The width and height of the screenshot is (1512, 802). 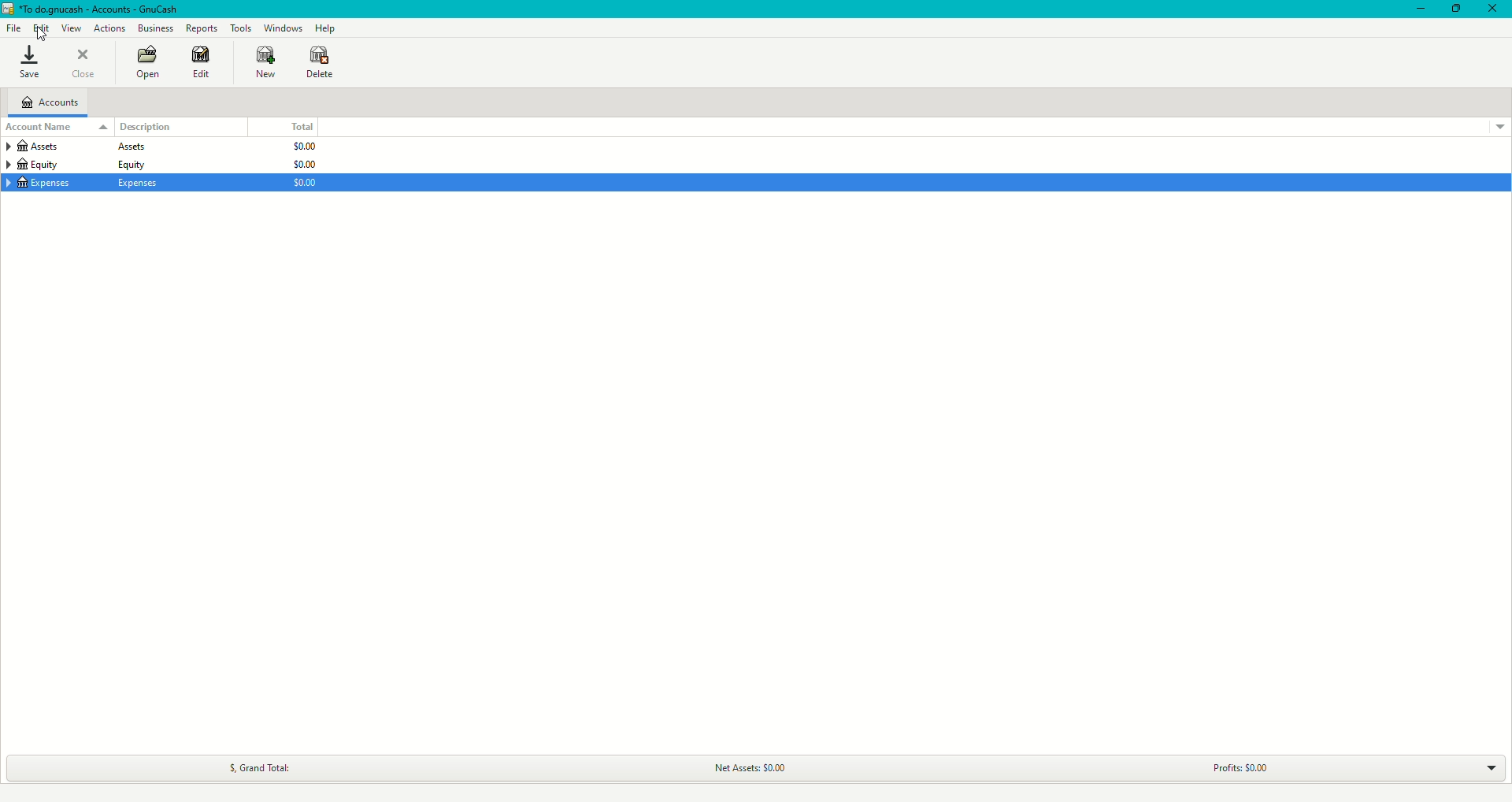 What do you see at coordinates (1488, 768) in the screenshot?
I see `Drop down` at bounding box center [1488, 768].